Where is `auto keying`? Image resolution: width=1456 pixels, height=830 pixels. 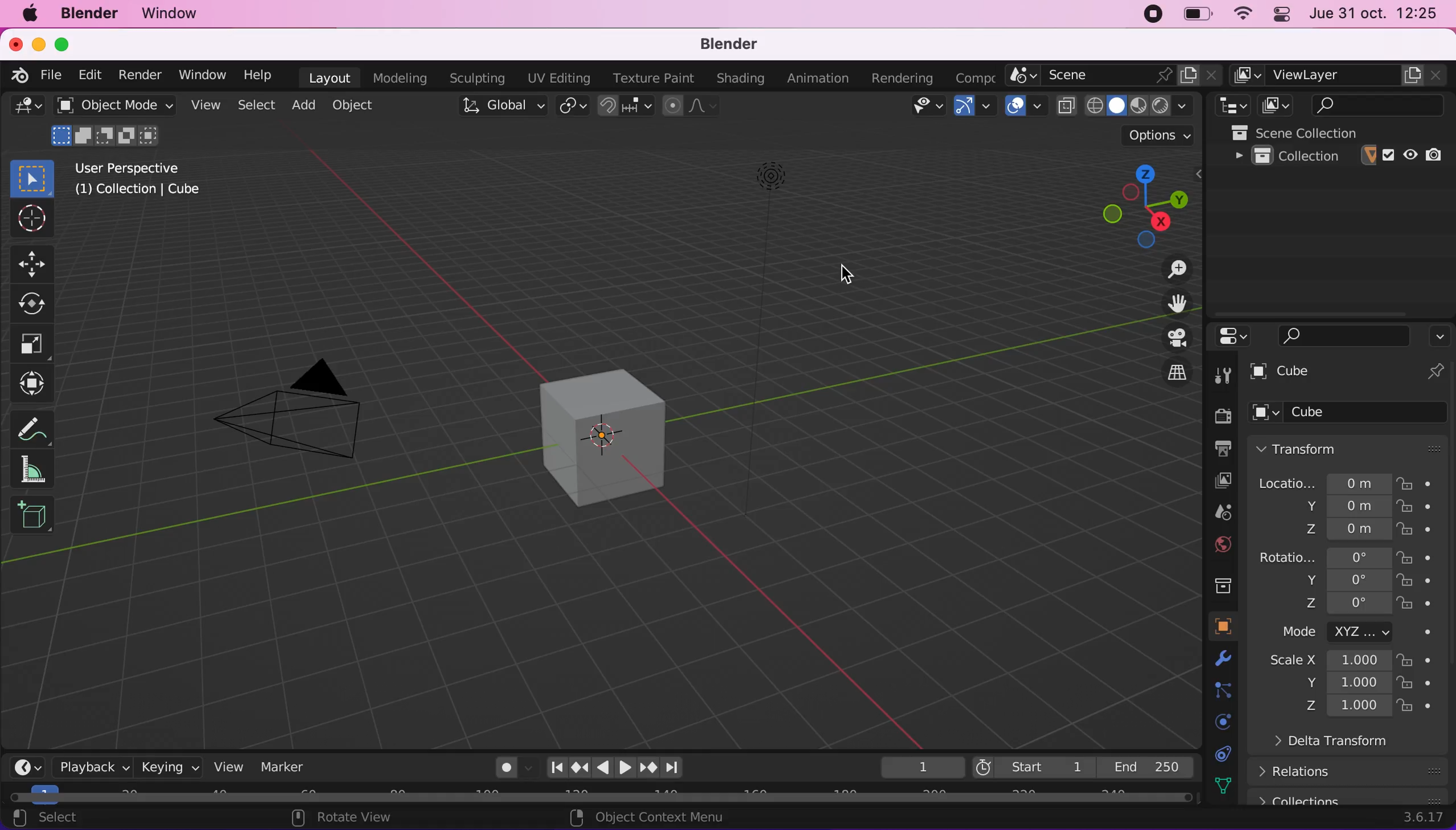 auto keying is located at coordinates (503, 767).